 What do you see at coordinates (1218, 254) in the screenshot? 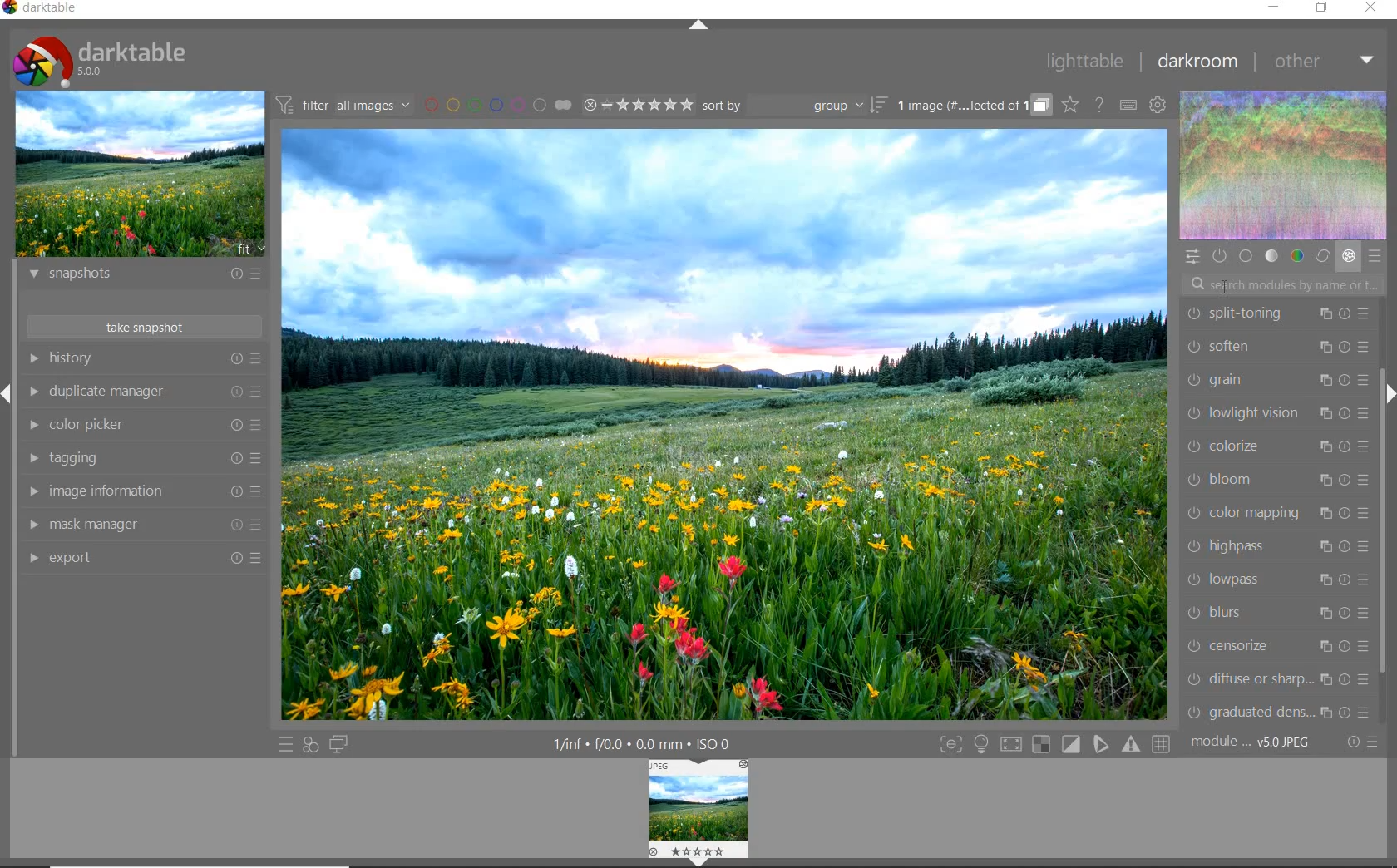
I see `show only active modules` at bounding box center [1218, 254].